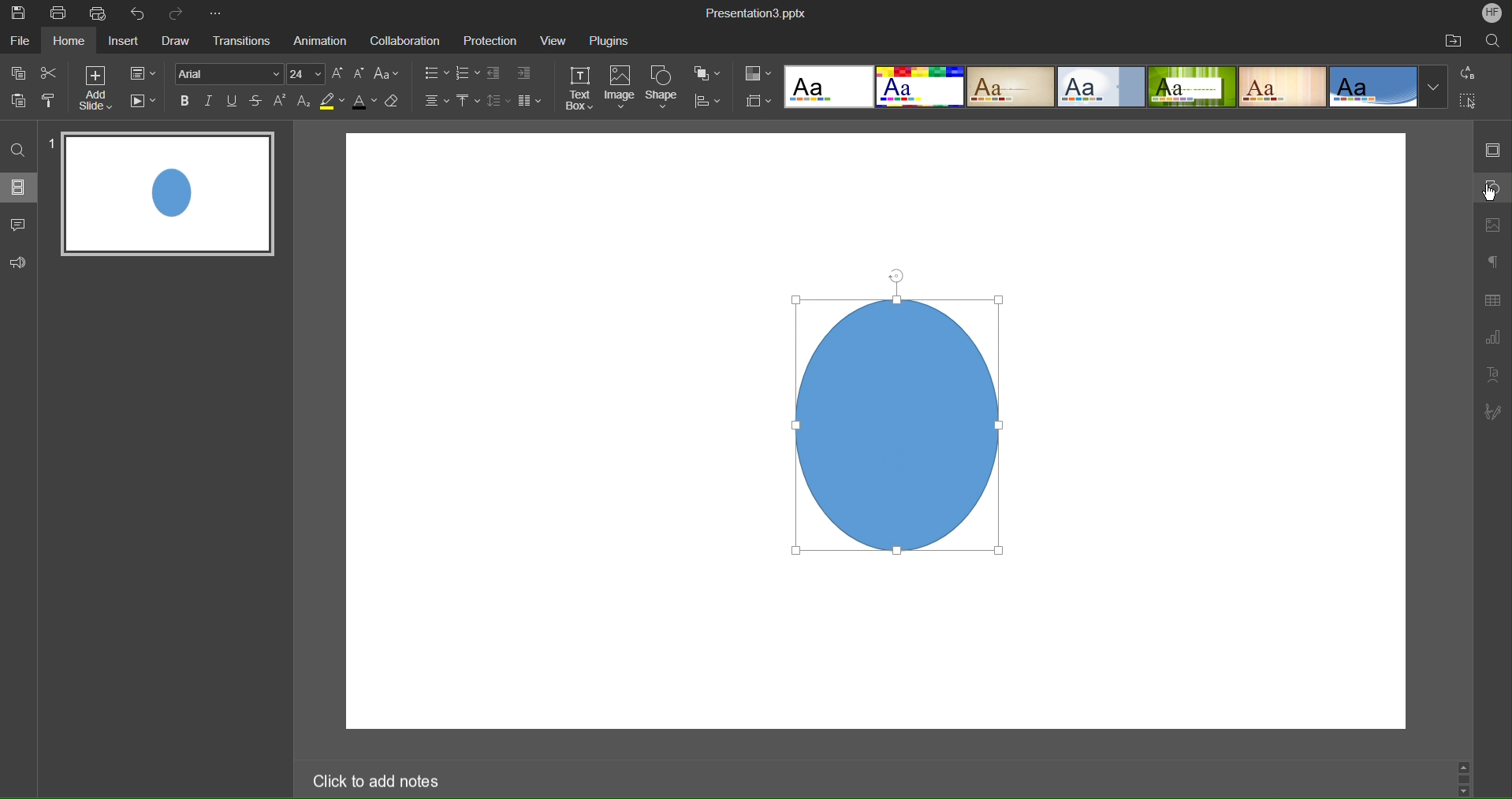 The height and width of the screenshot is (799, 1512). What do you see at coordinates (19, 41) in the screenshot?
I see `File` at bounding box center [19, 41].